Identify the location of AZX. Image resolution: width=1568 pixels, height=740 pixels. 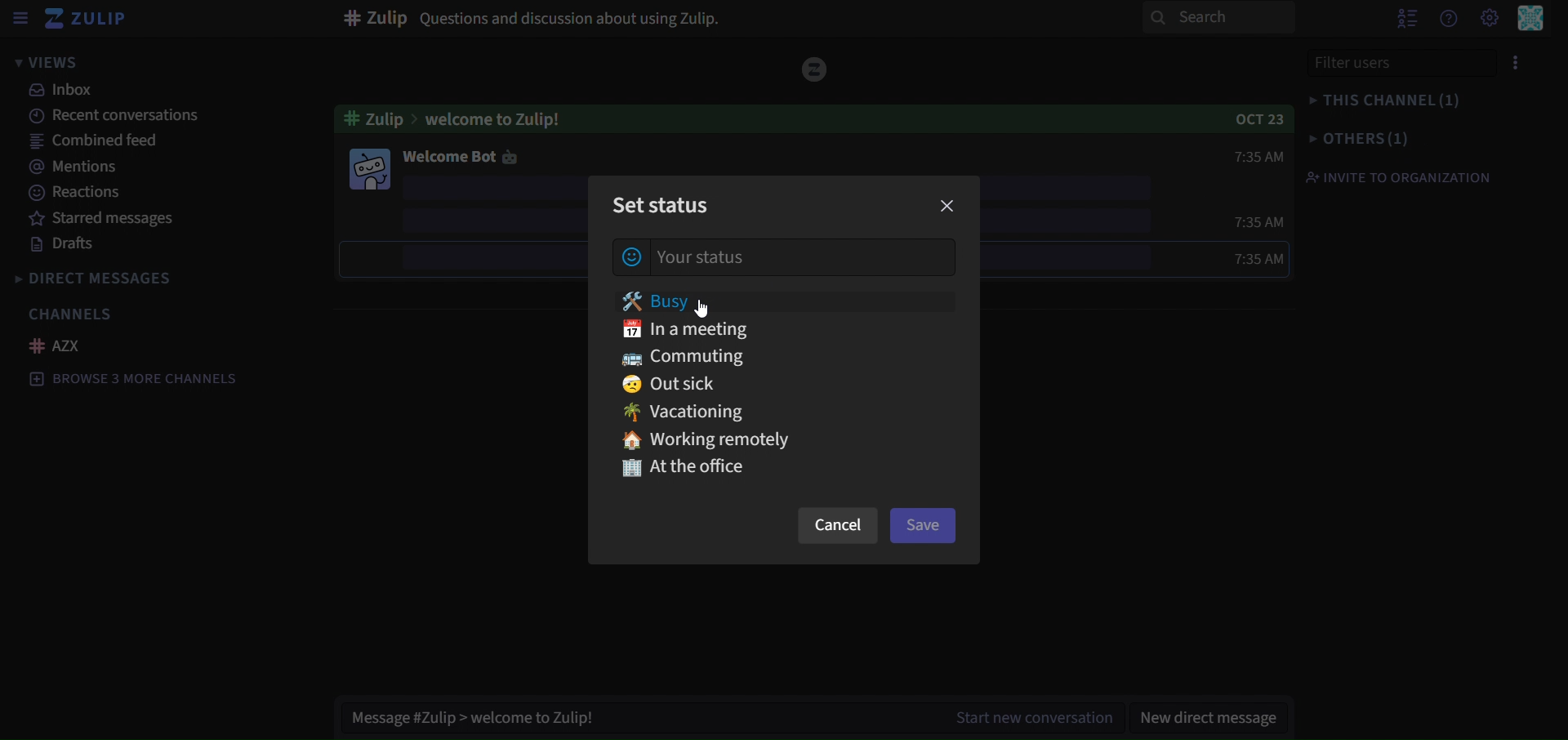
(58, 345).